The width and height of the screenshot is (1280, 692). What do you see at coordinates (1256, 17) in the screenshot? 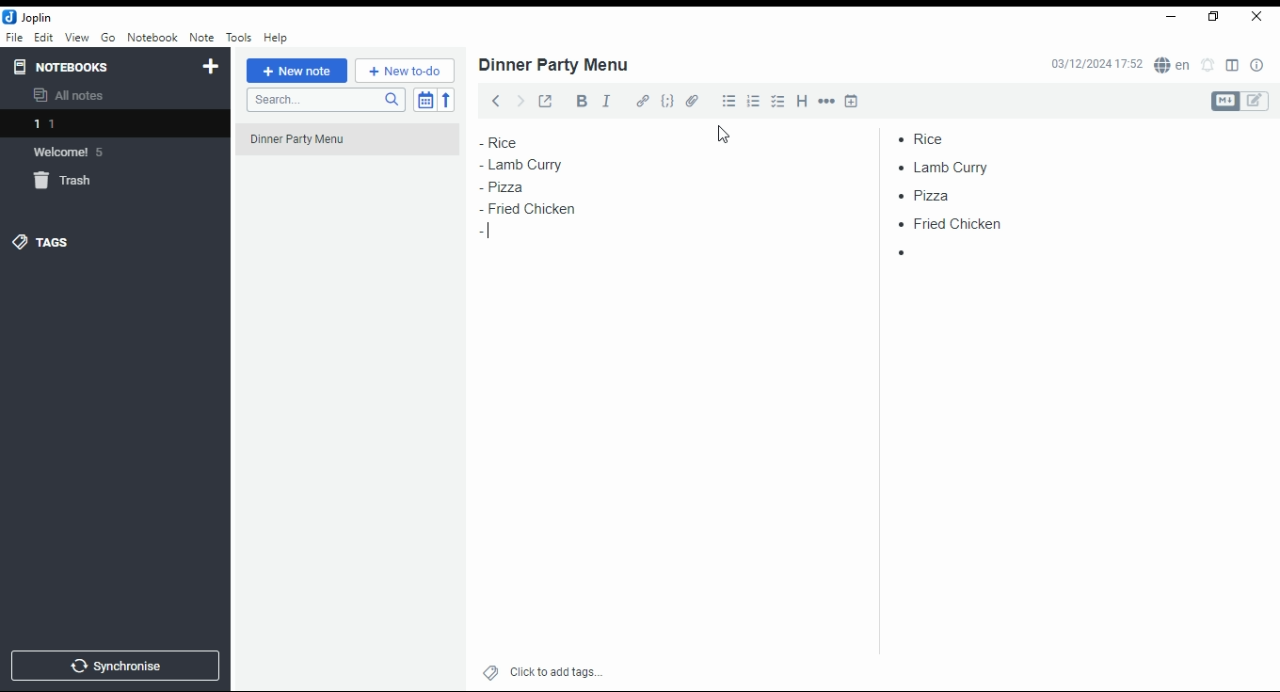
I see `close` at bounding box center [1256, 17].